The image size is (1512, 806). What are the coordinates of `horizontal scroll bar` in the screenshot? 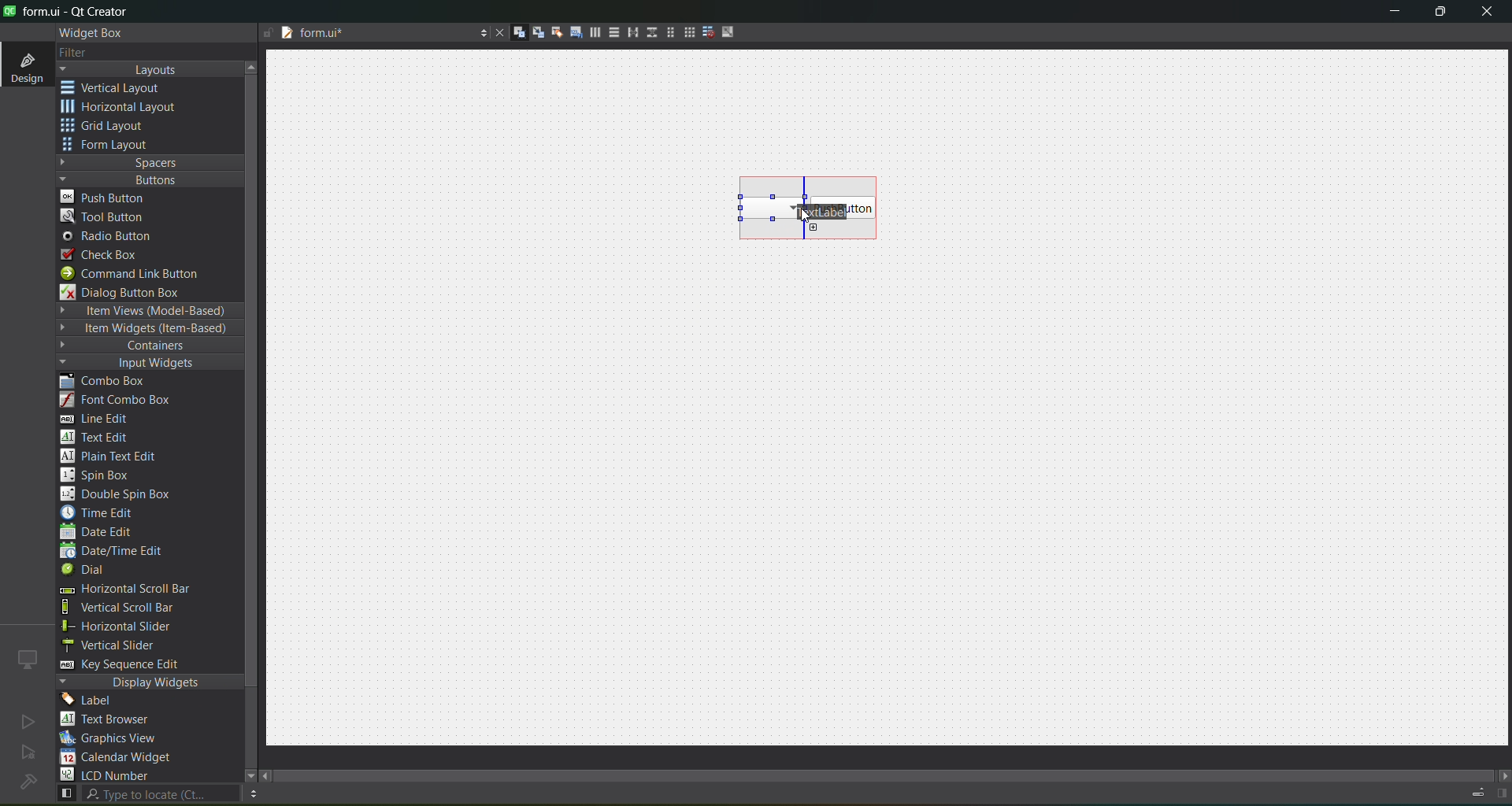 It's located at (124, 590).